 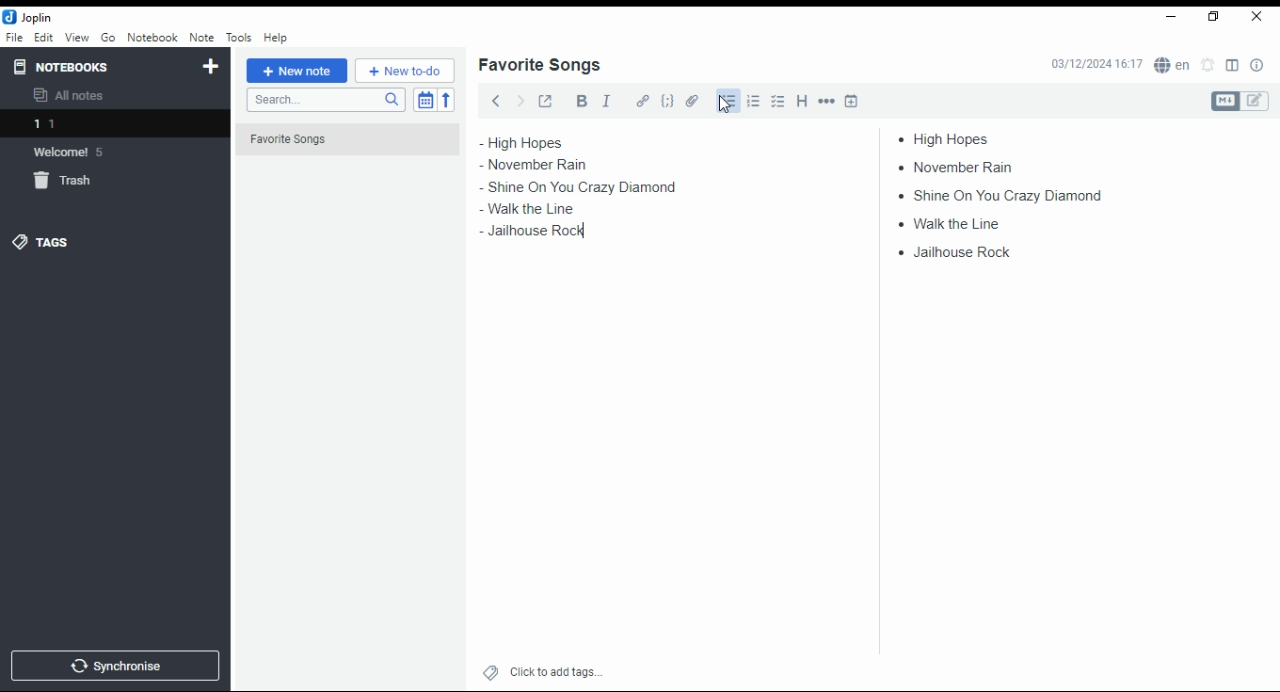 I want to click on back, so click(x=496, y=100).